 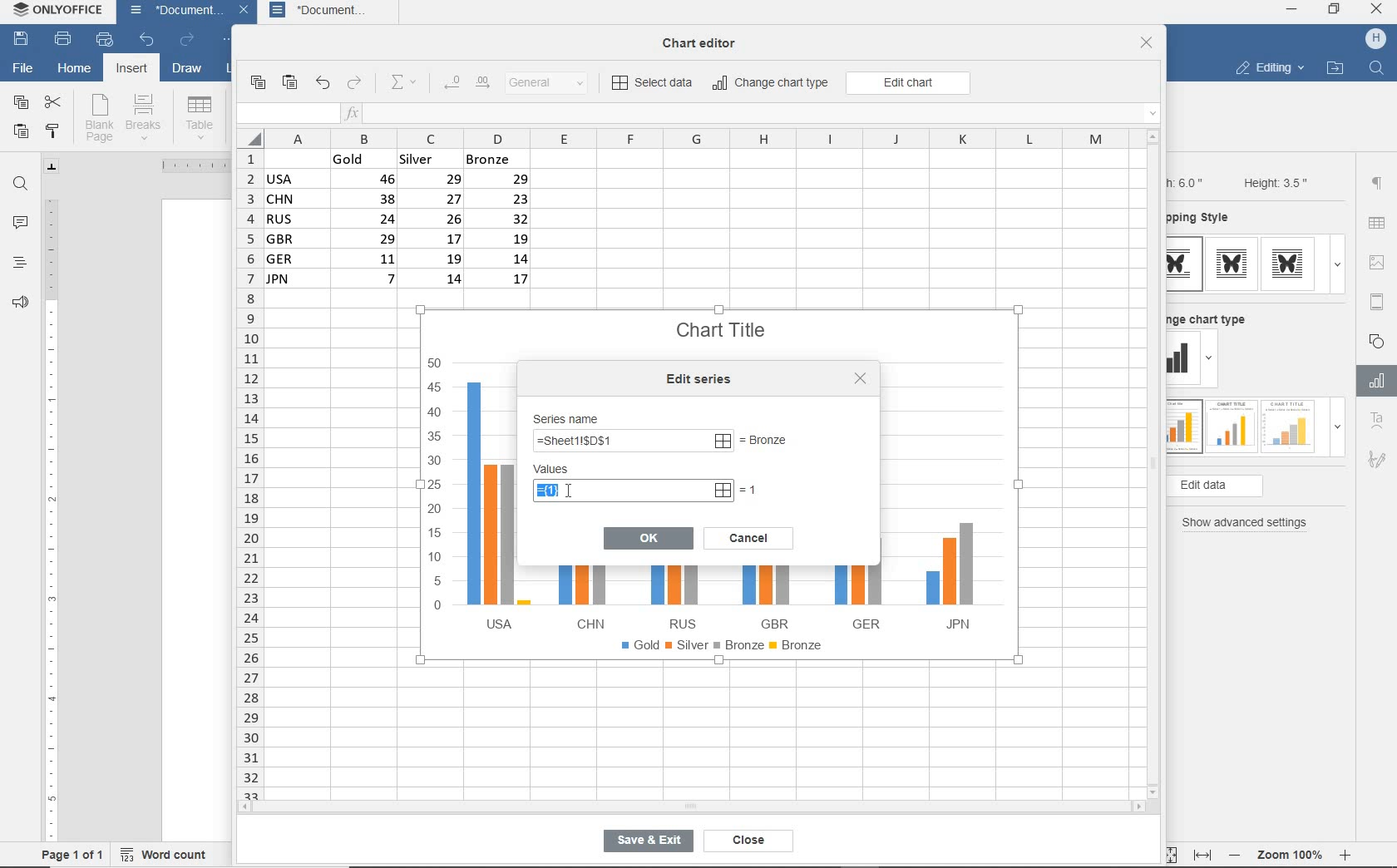 I want to click on redo, so click(x=186, y=41).